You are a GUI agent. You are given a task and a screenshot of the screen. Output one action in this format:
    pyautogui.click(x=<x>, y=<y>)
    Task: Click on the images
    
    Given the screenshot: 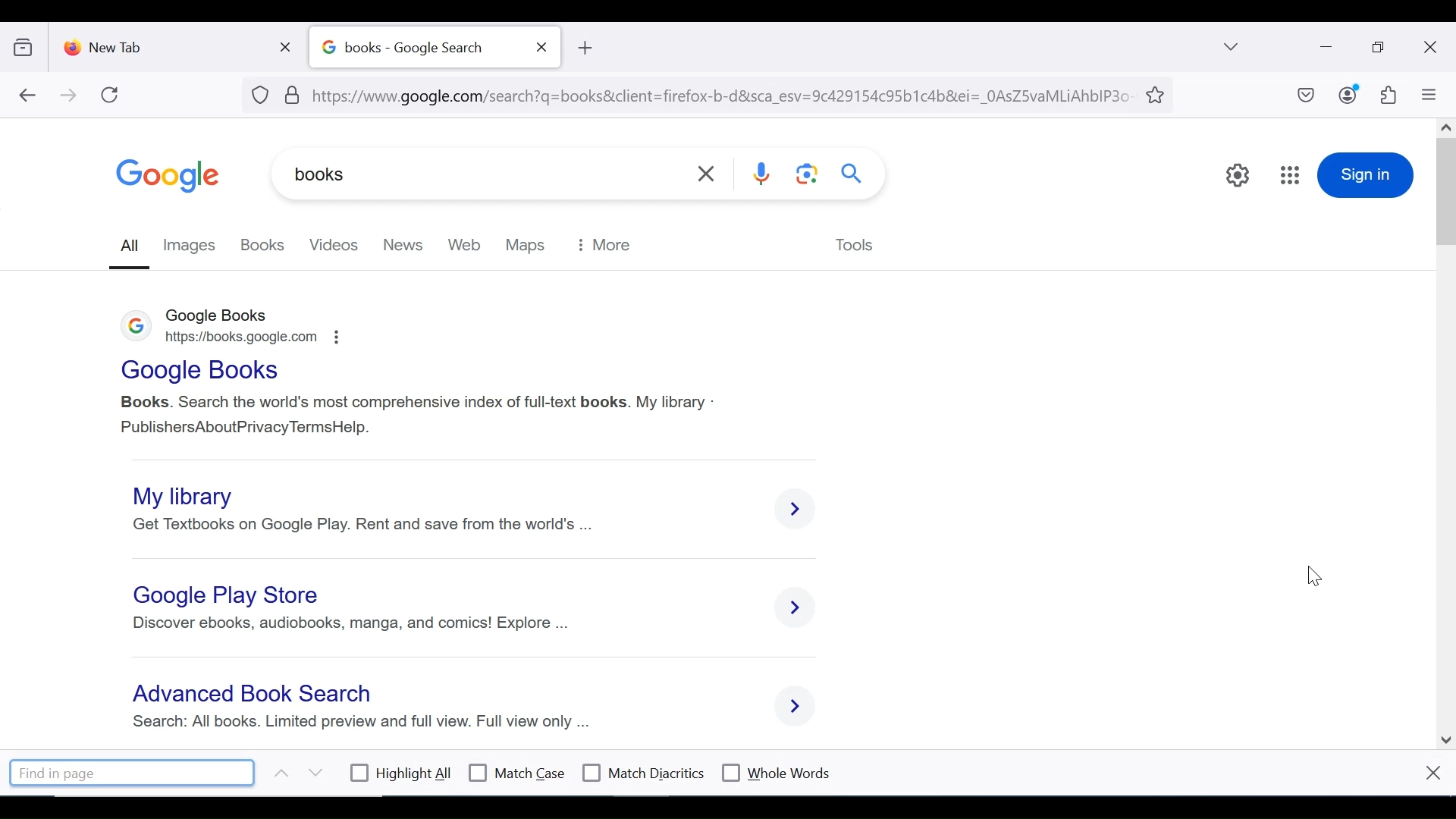 What is the action you would take?
    pyautogui.click(x=193, y=244)
    